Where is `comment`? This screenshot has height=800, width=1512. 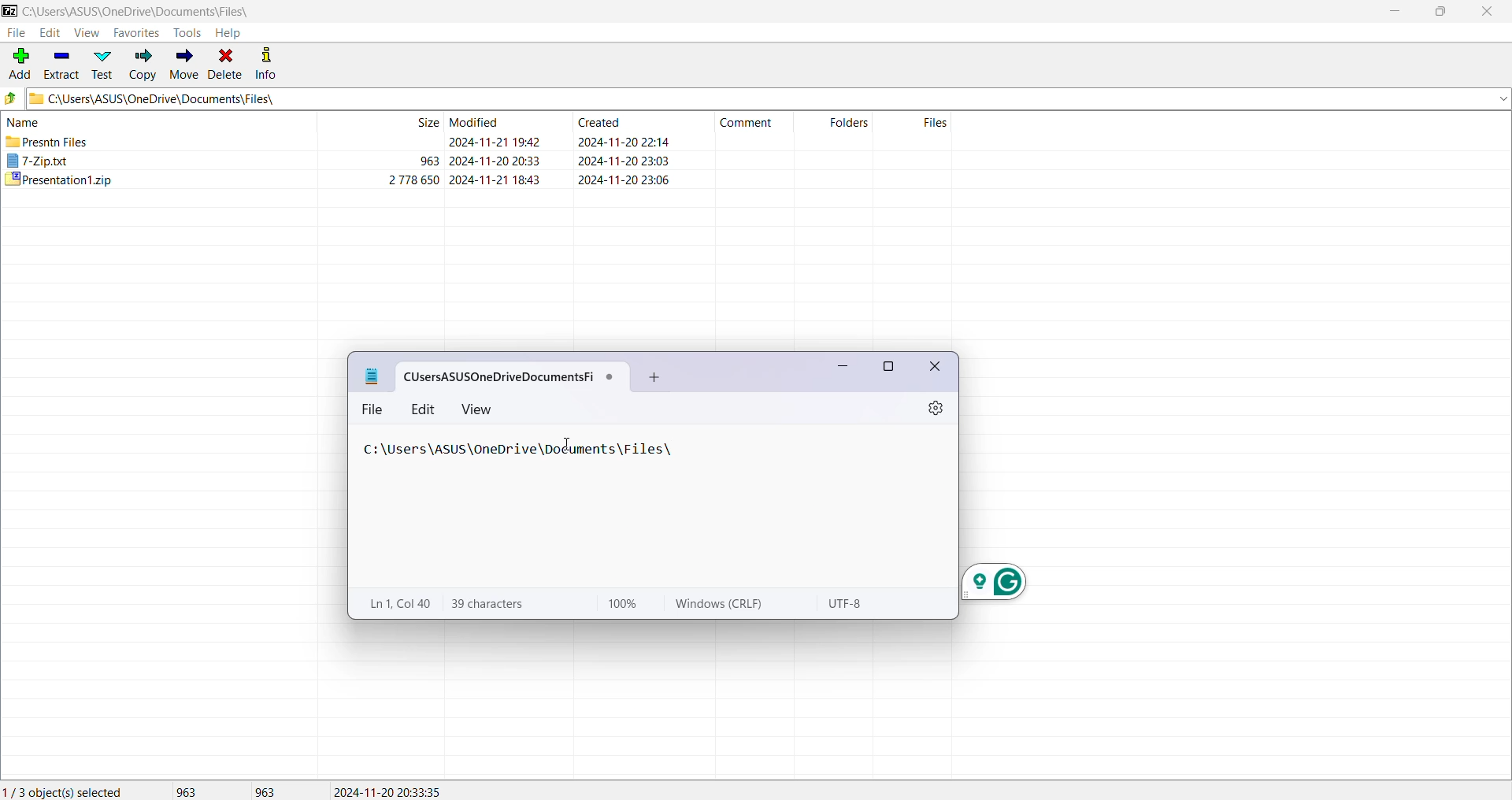 comment is located at coordinates (746, 122).